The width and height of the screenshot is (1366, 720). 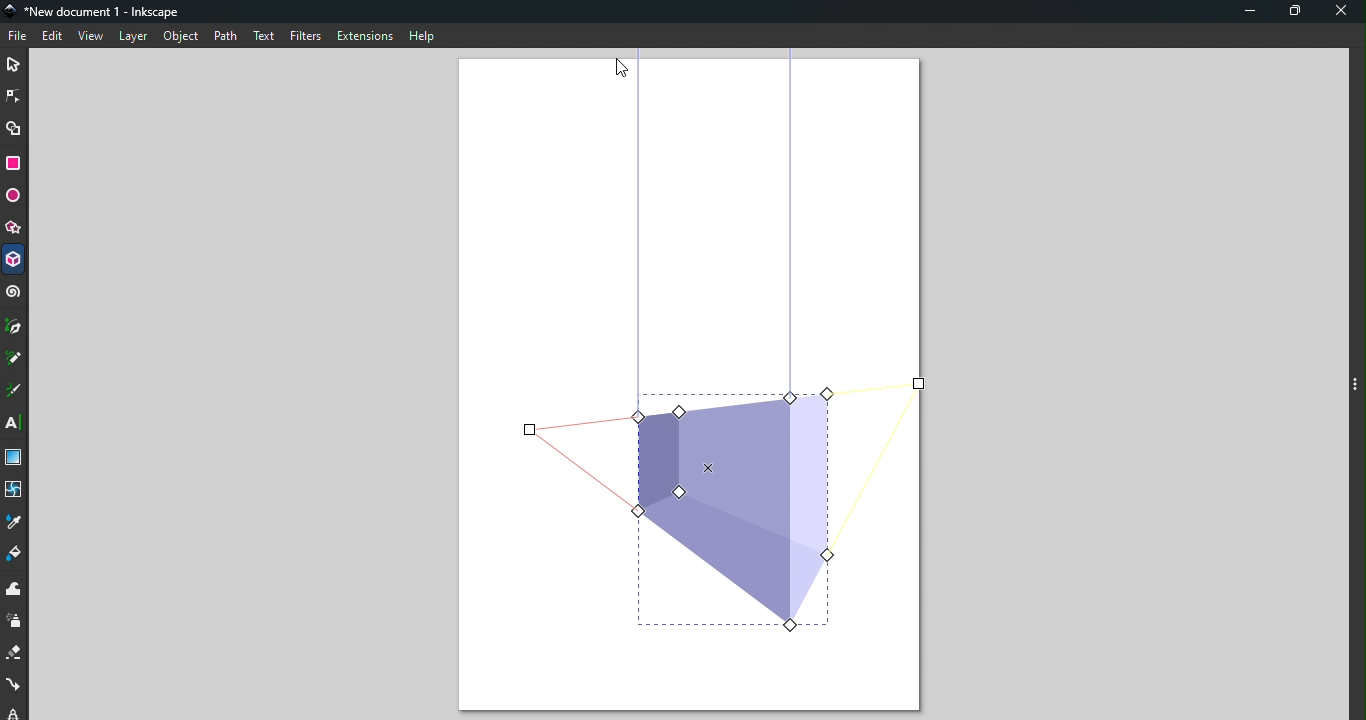 I want to click on Shape builder tool, so click(x=14, y=127).